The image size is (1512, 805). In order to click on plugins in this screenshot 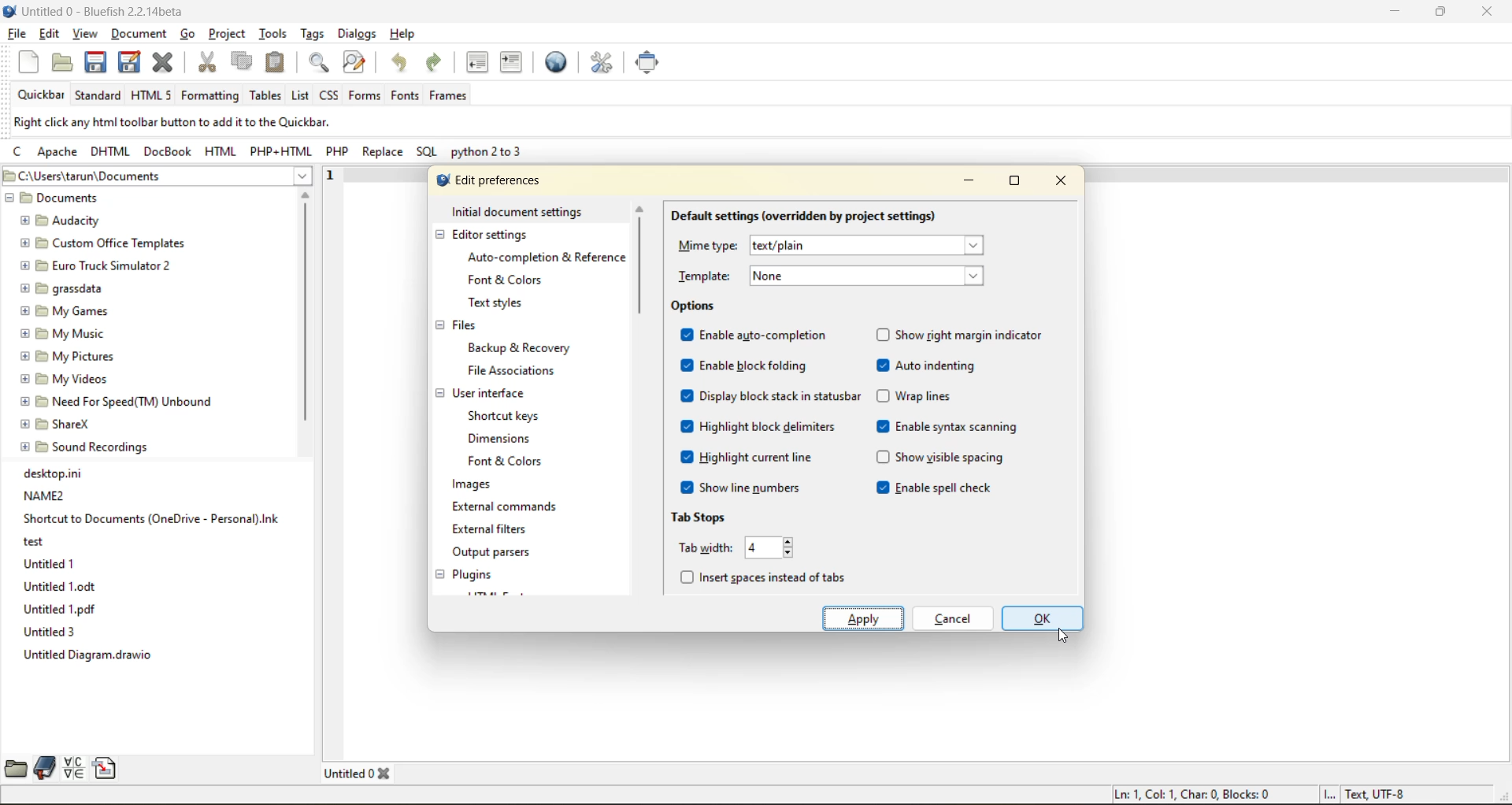, I will do `click(477, 574)`.